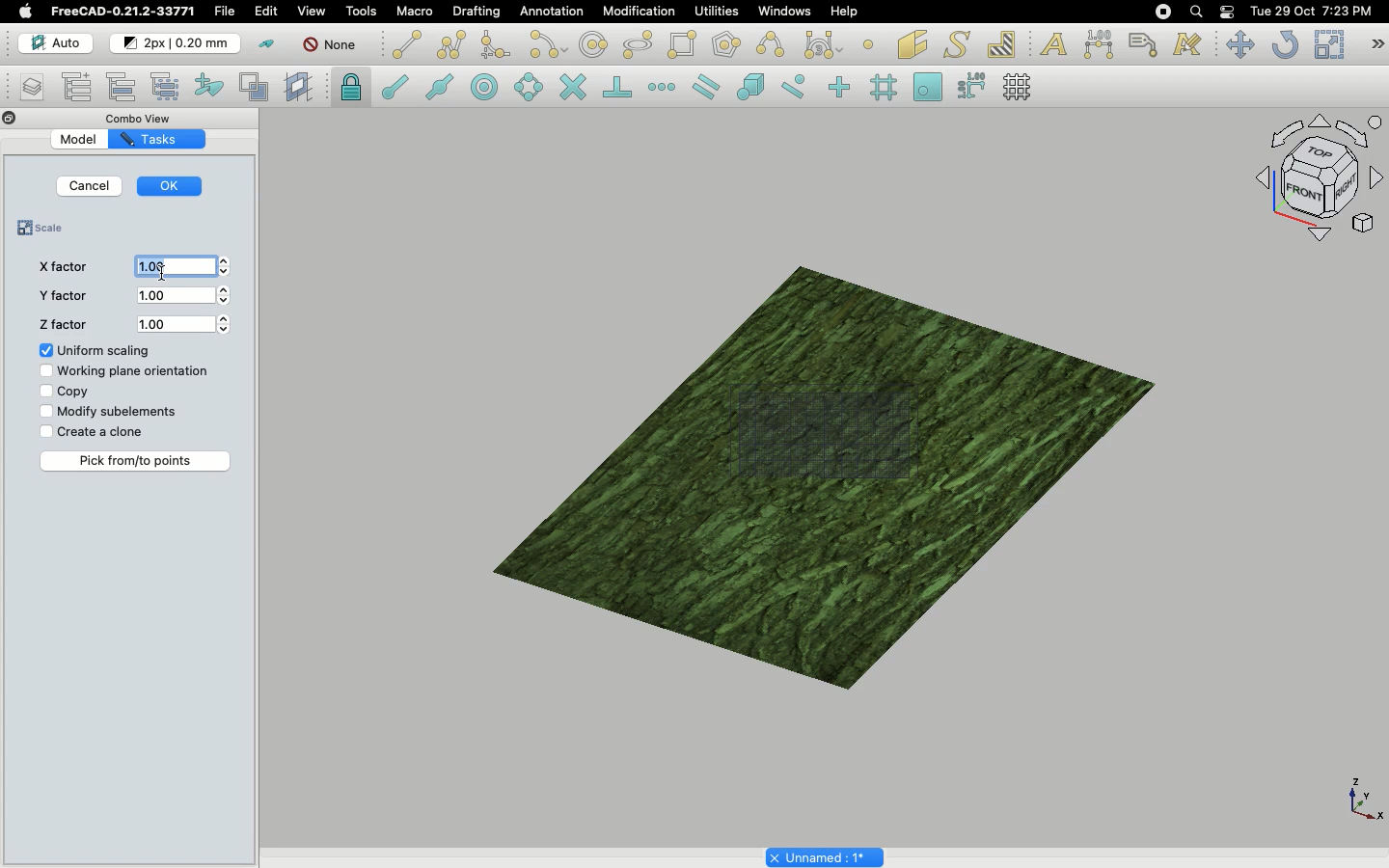 This screenshot has height=868, width=1389. I want to click on B-spline, so click(770, 44).